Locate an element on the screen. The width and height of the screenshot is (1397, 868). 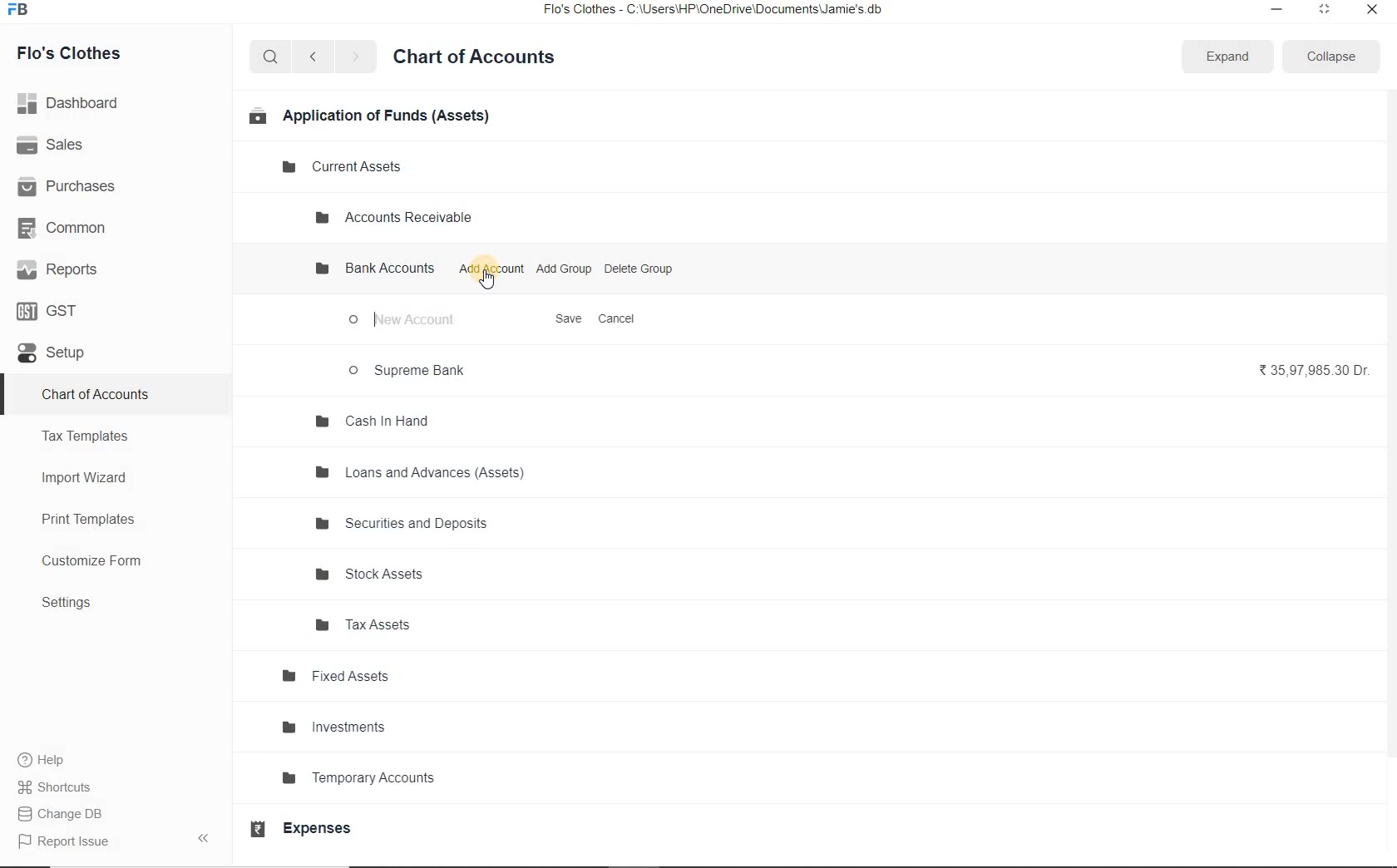
GST is located at coordinates (54, 309).